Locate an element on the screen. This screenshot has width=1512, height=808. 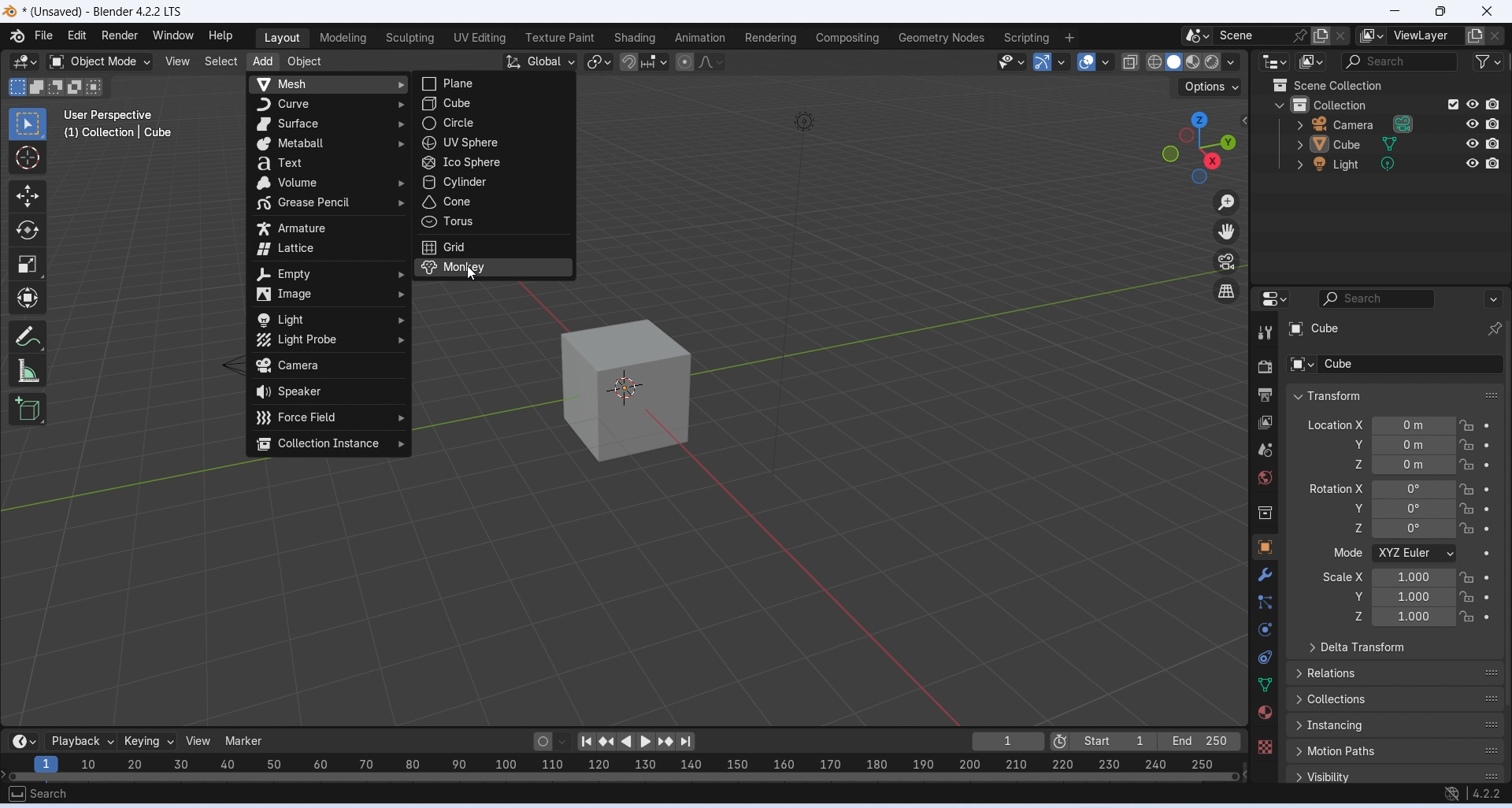
animate property is located at coordinates (1486, 489).